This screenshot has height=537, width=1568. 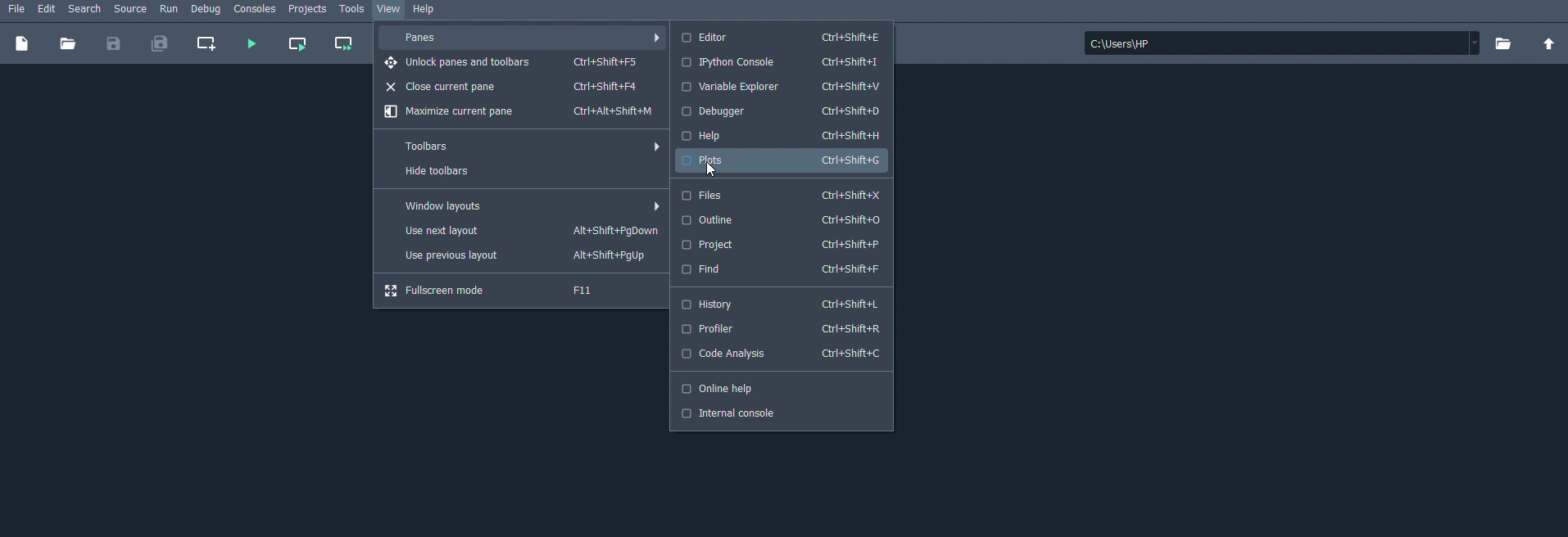 I want to click on File, so click(x=14, y=8).